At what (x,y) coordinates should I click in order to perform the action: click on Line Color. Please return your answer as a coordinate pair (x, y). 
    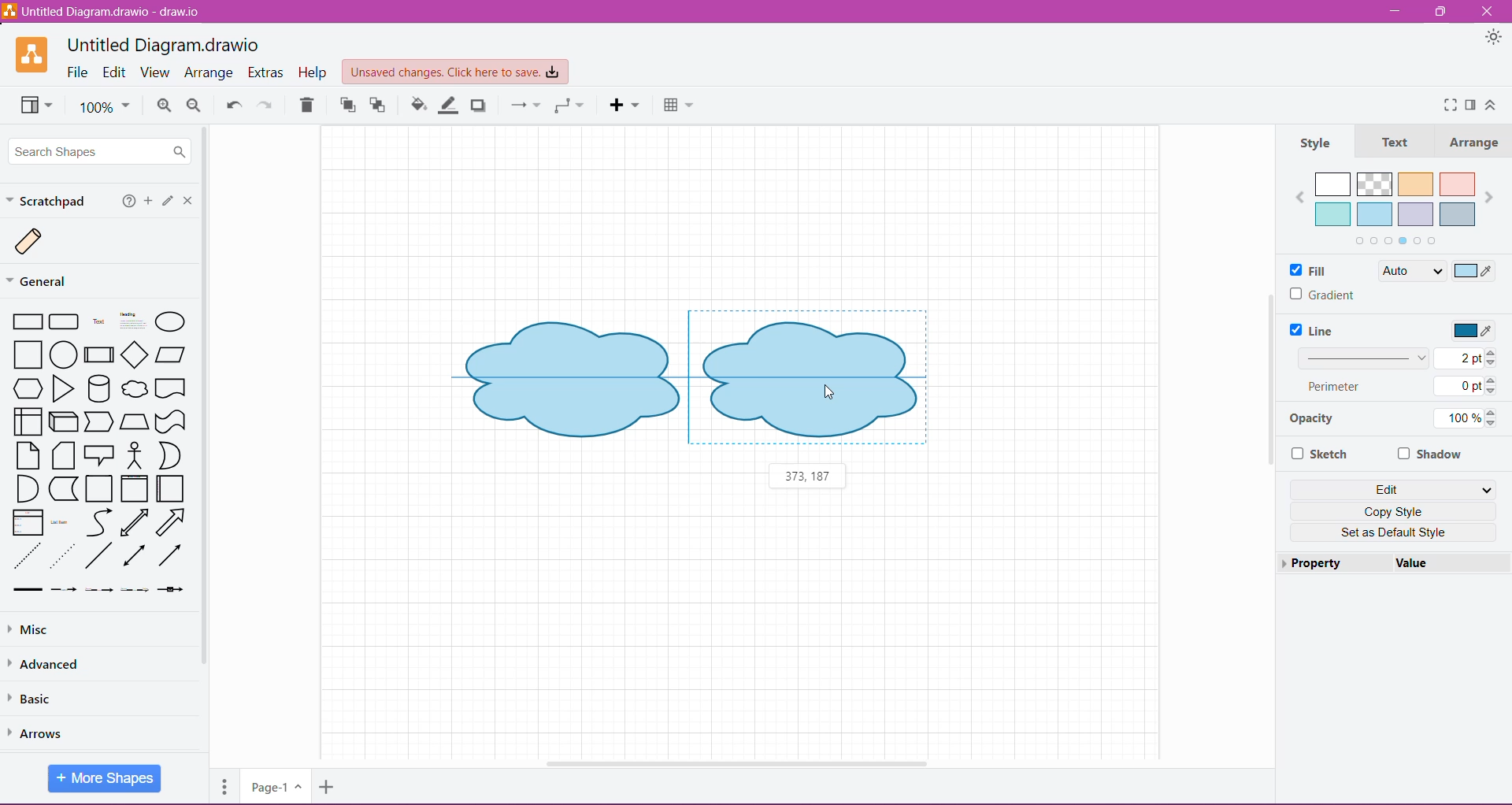
    Looking at the image, I should click on (449, 106).